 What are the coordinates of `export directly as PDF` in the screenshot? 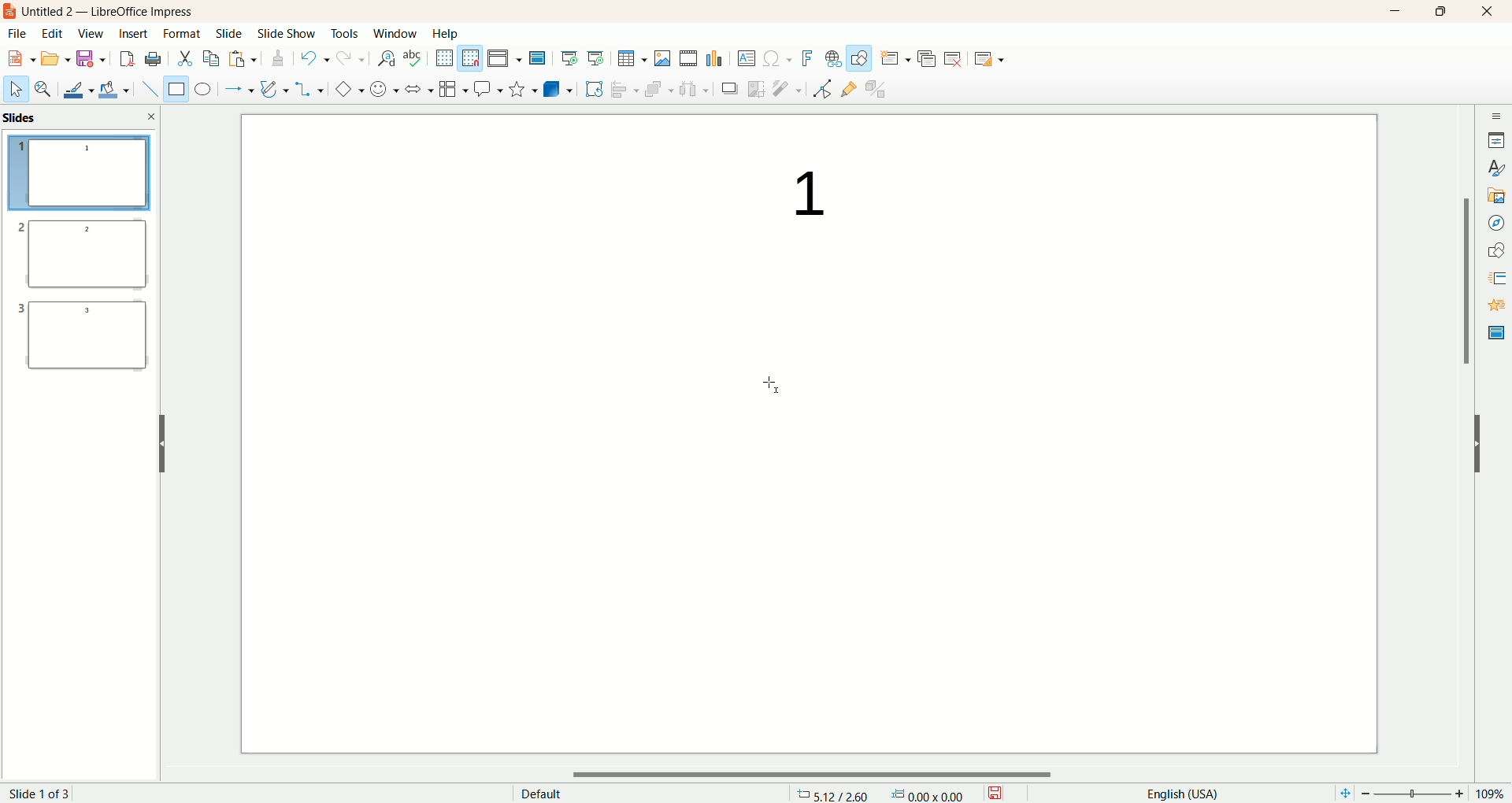 It's located at (125, 59).